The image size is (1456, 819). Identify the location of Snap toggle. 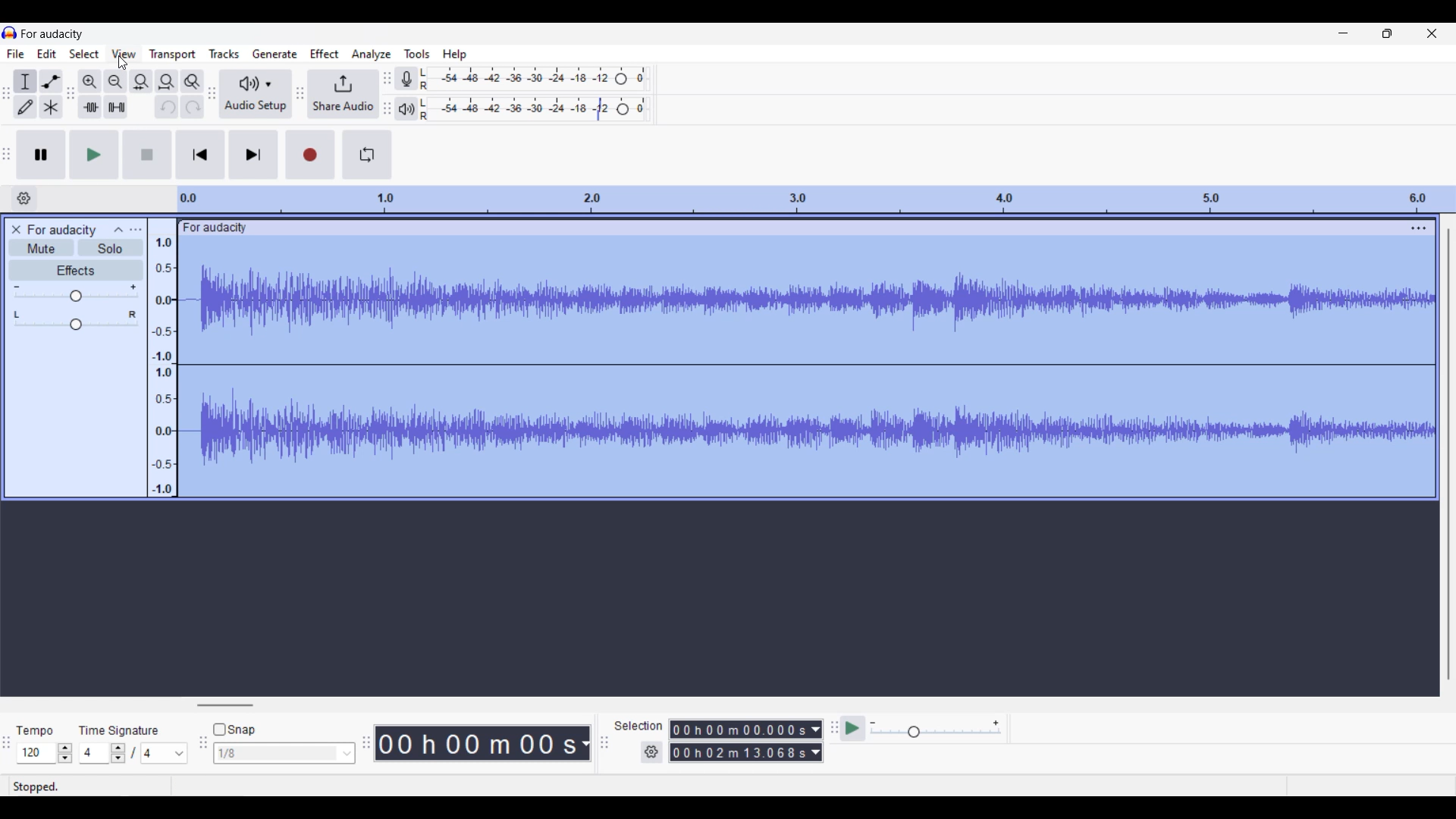
(234, 730).